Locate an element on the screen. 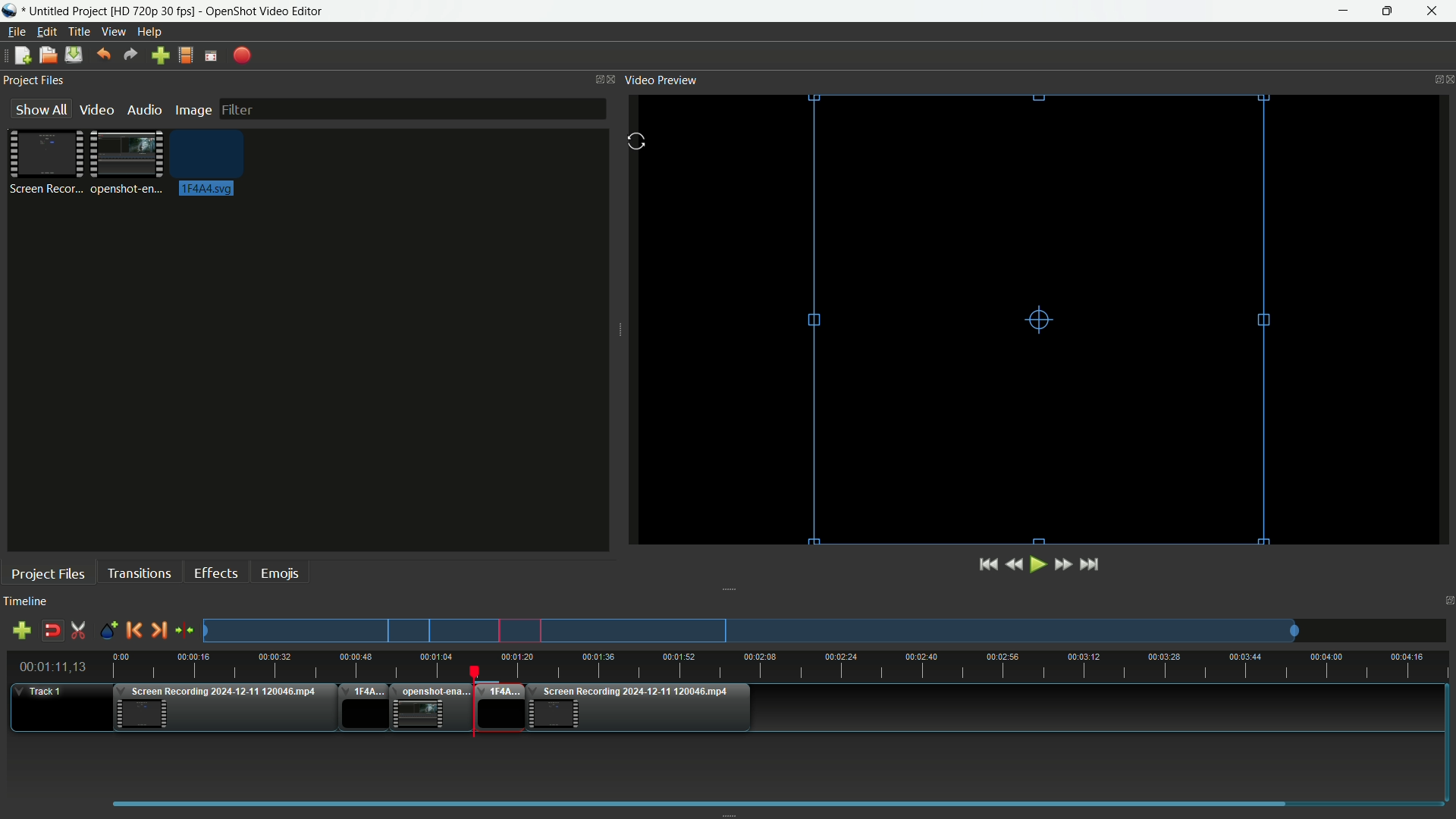 The image size is (1456, 819). View menu is located at coordinates (112, 33).